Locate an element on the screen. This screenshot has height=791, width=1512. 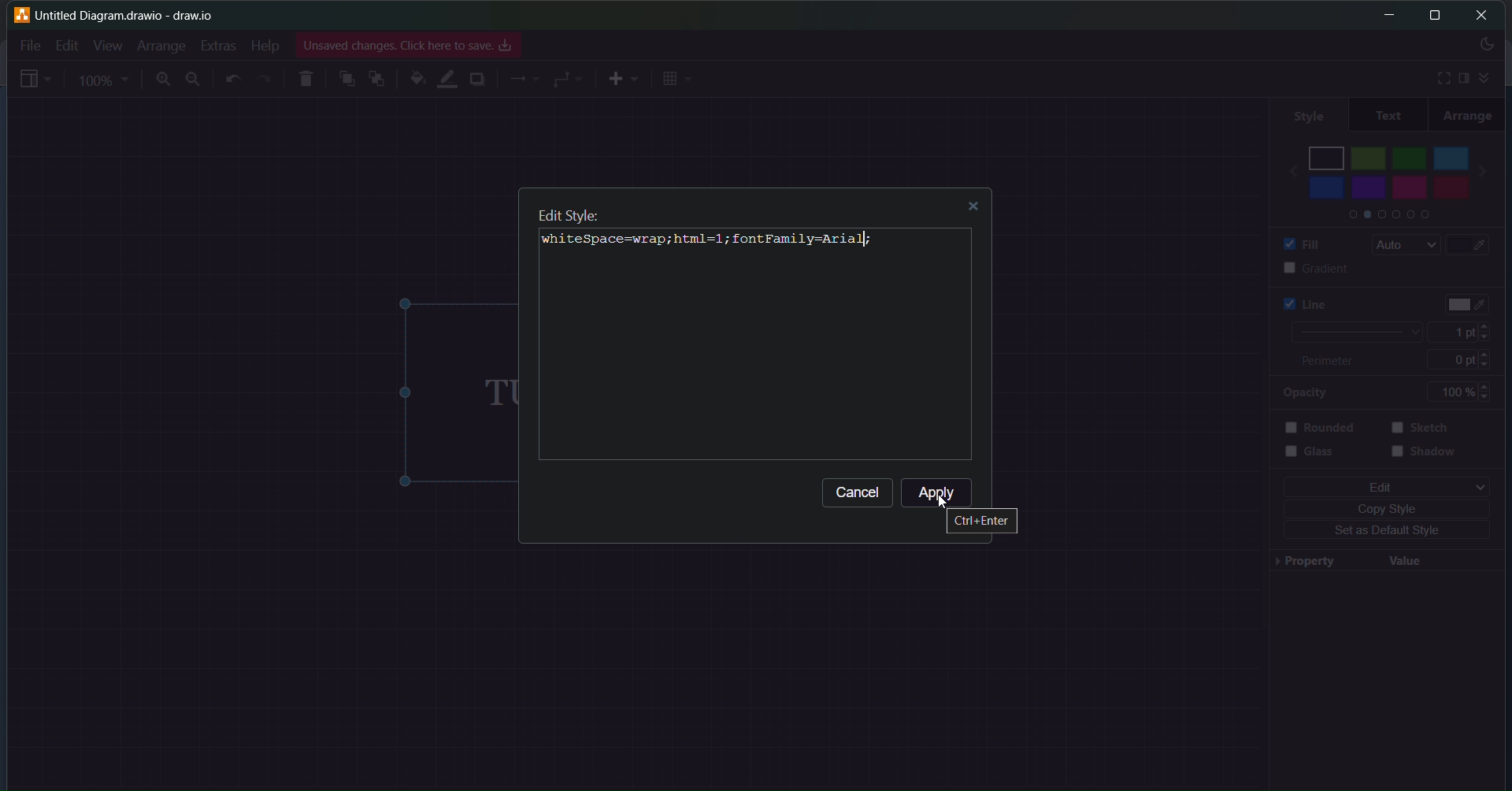
View is located at coordinates (107, 45).